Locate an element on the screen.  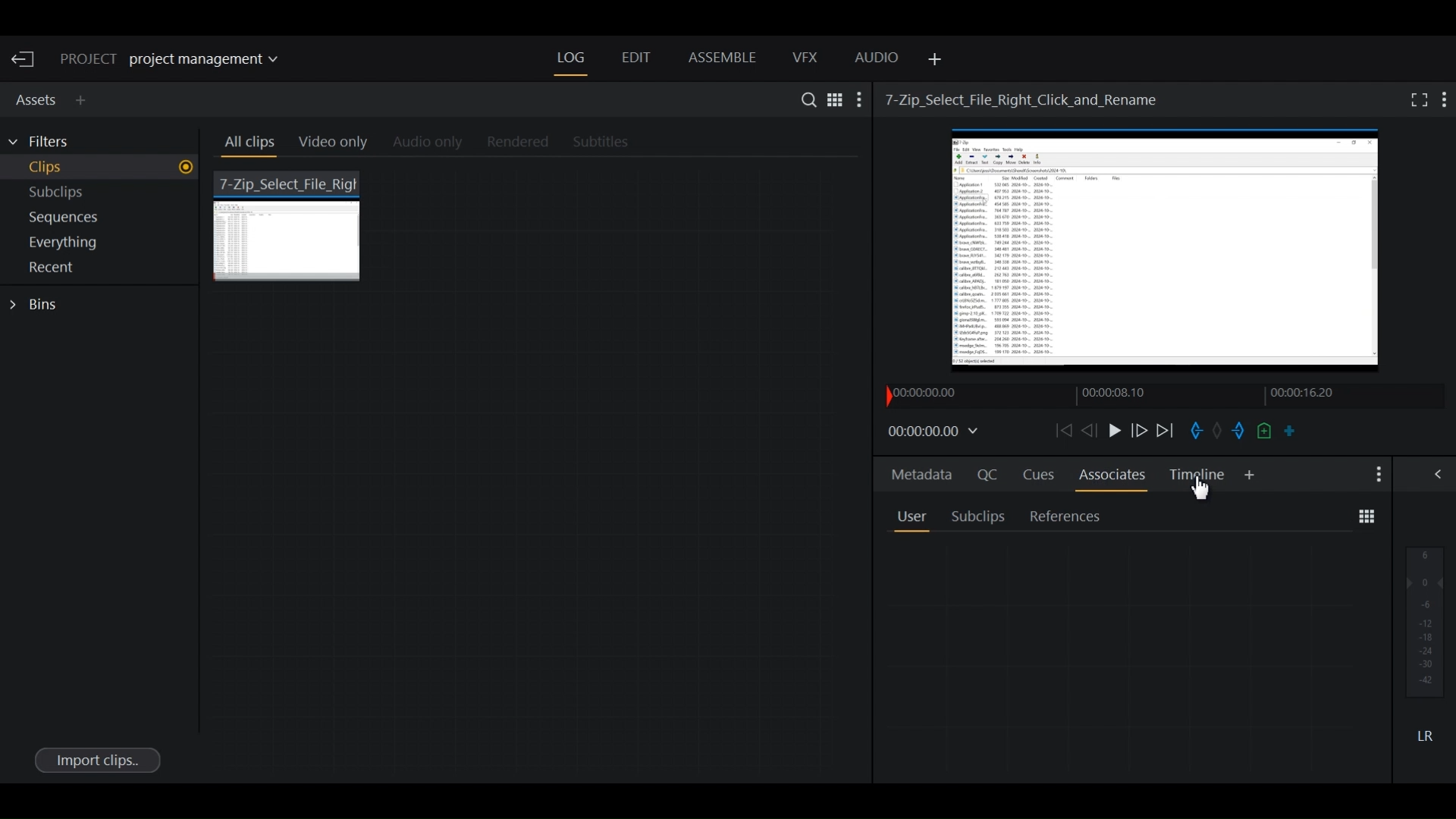
Mark out is located at coordinates (1237, 431).